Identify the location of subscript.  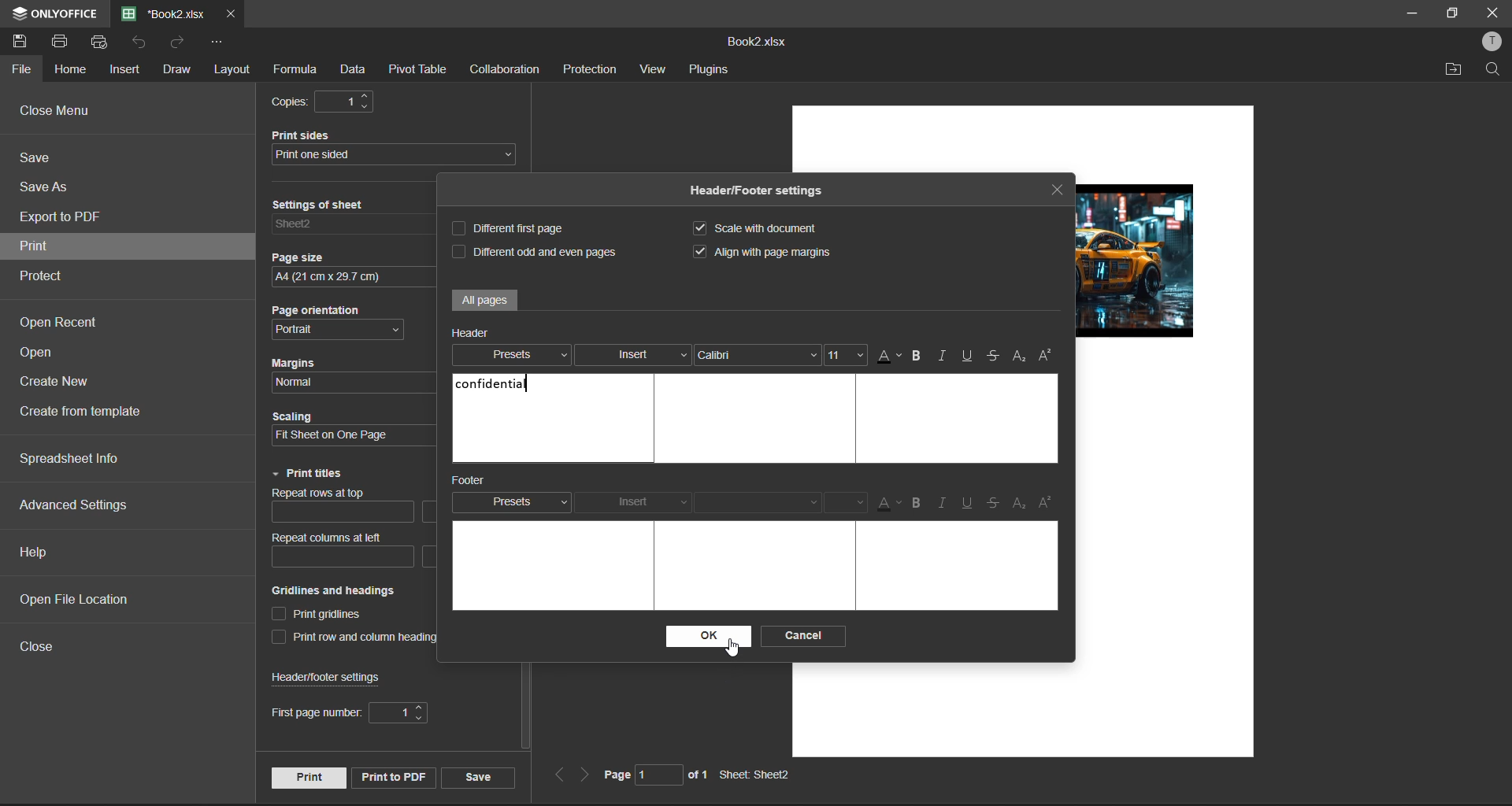
(1020, 503).